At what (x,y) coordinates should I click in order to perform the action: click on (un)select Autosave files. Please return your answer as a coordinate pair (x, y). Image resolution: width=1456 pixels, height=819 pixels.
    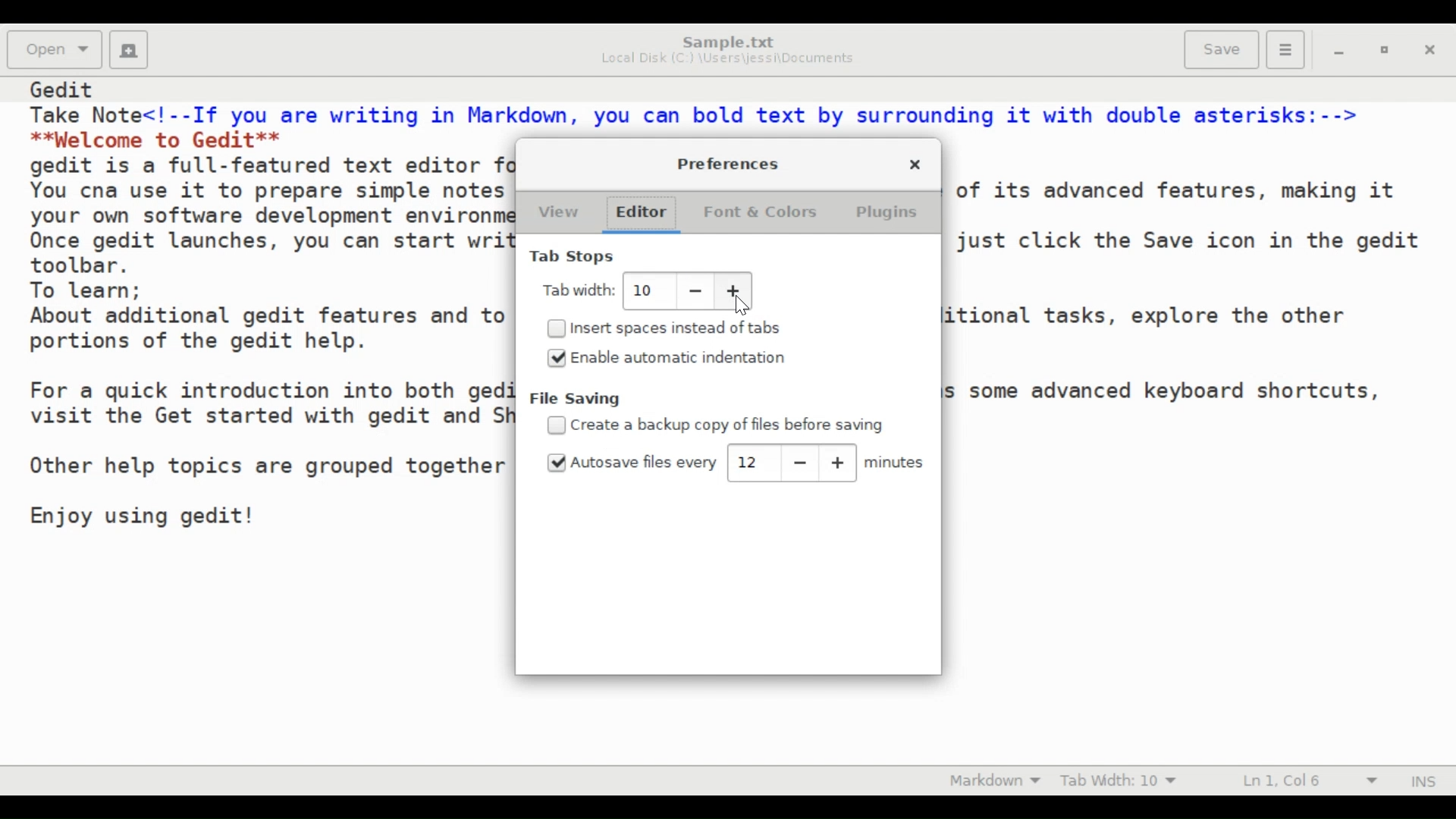
    Looking at the image, I should click on (631, 463).